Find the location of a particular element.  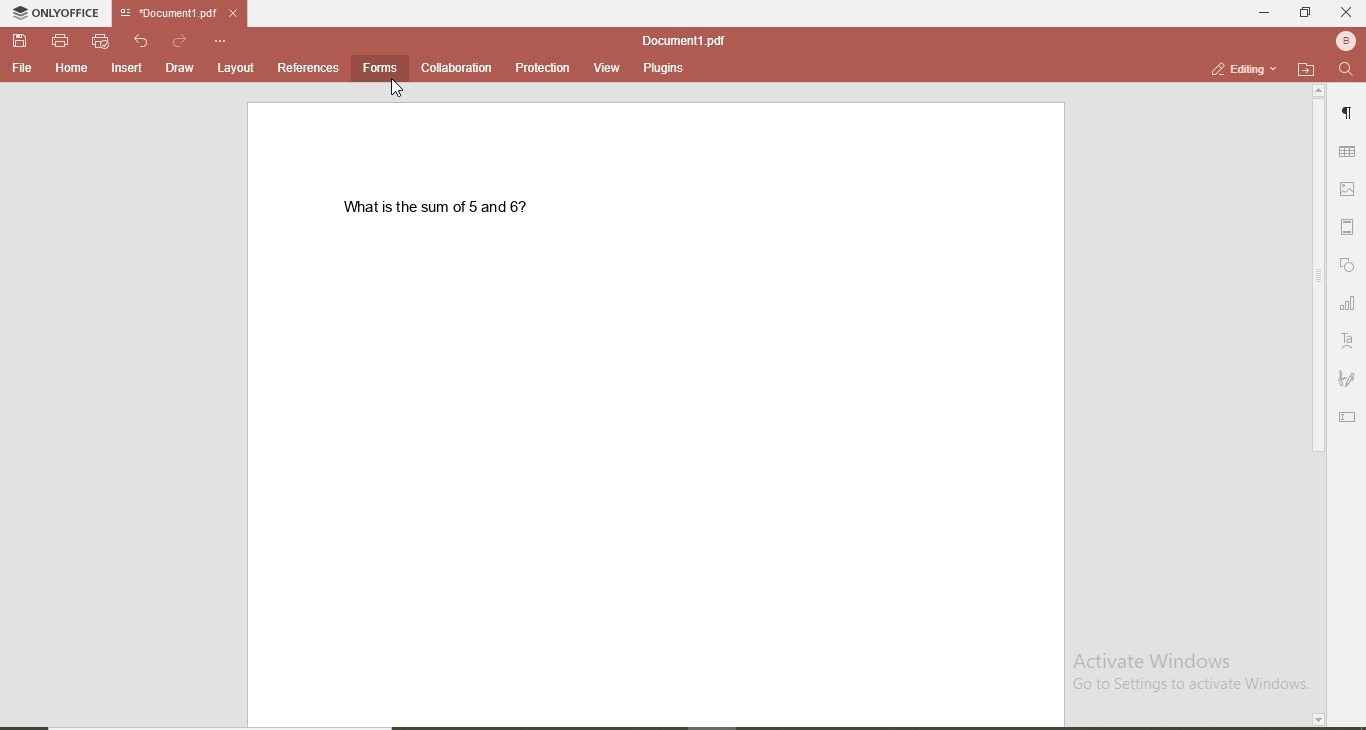

table is located at coordinates (1349, 152).